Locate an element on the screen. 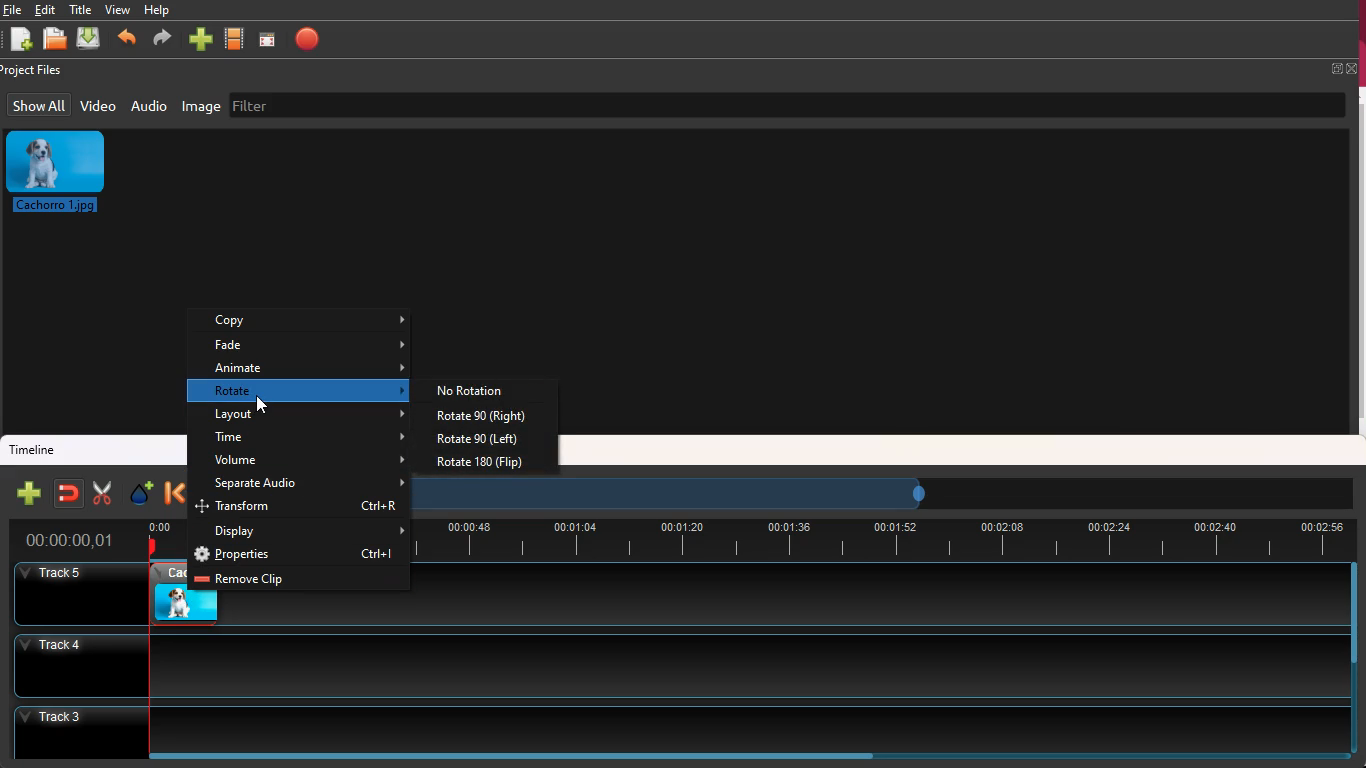 Image resolution: width=1366 pixels, height=768 pixels. image is located at coordinates (201, 107).